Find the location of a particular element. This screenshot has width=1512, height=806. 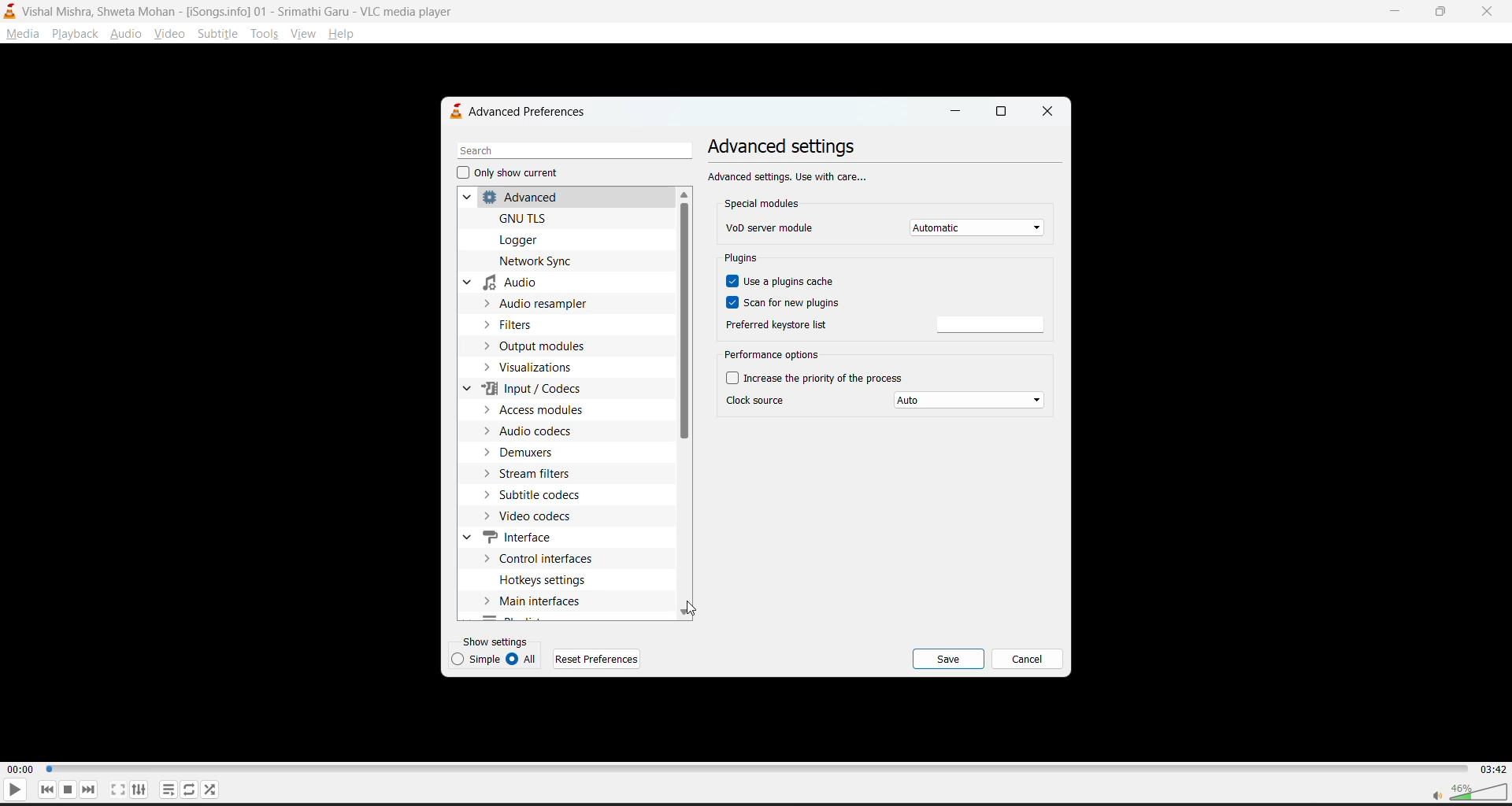

logger is located at coordinates (528, 240).